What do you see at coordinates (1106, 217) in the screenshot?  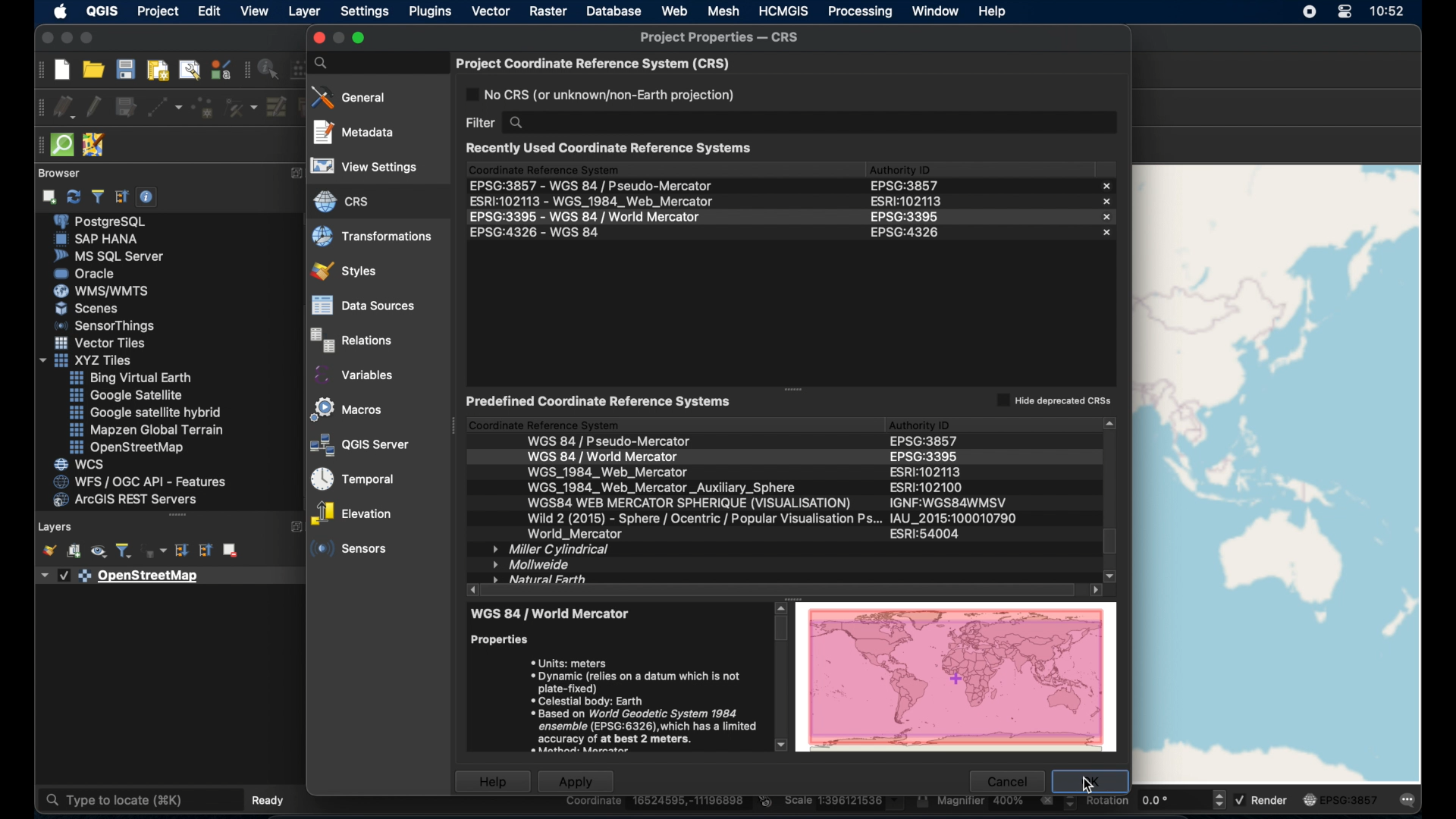 I see `close` at bounding box center [1106, 217].